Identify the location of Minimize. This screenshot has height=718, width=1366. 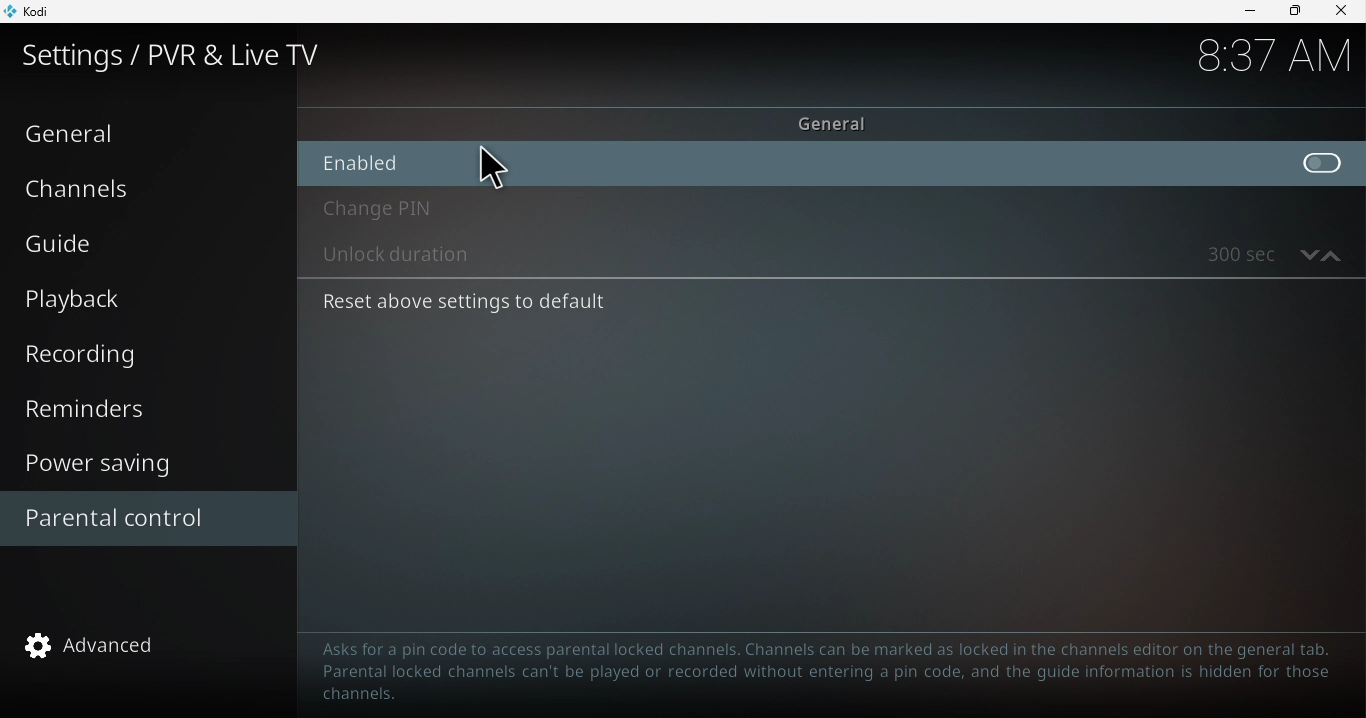
(1249, 13).